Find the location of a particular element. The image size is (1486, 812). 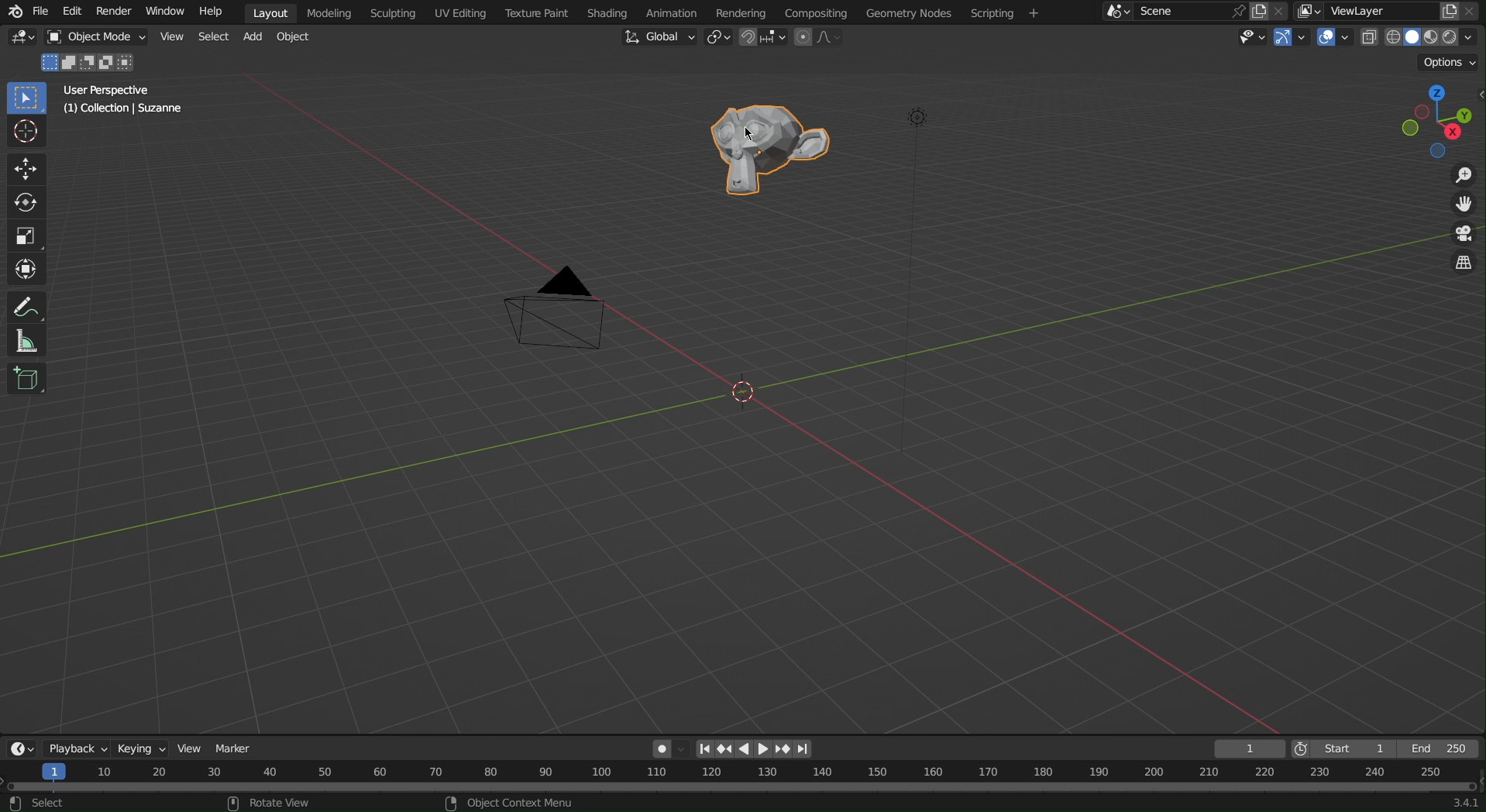

cursor is located at coordinates (749, 135).